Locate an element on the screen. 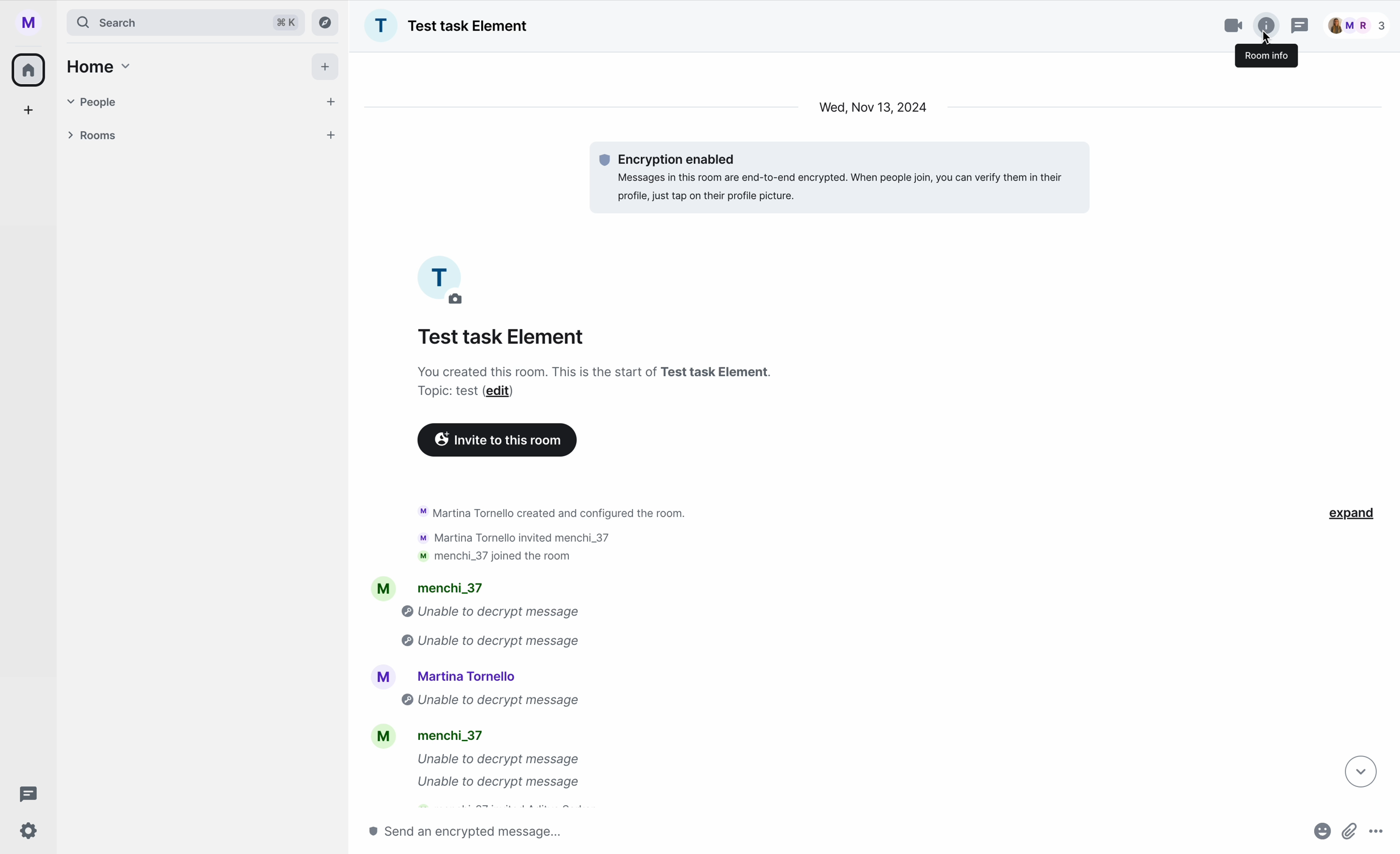  home icon is located at coordinates (31, 68).